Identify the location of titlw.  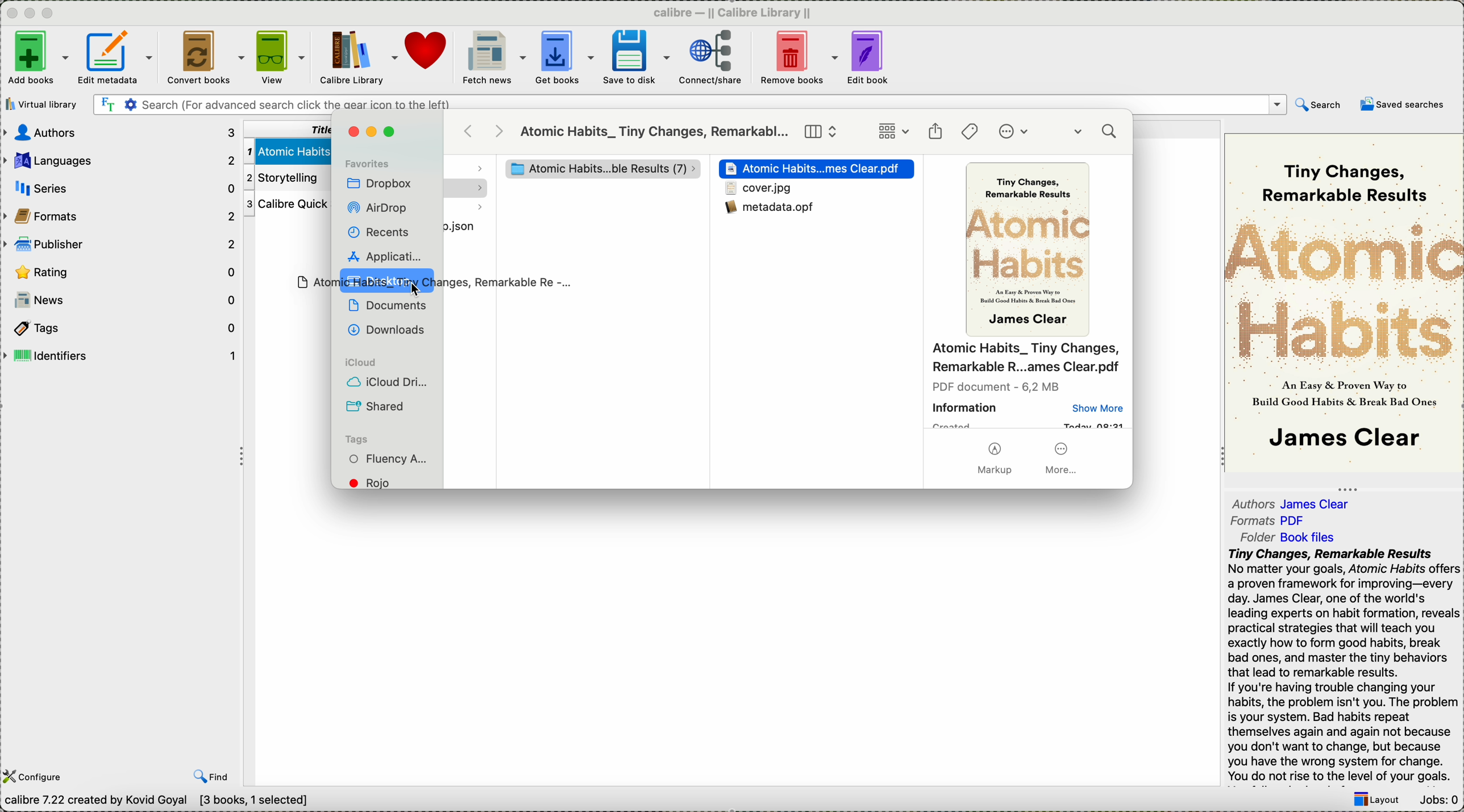
(285, 128).